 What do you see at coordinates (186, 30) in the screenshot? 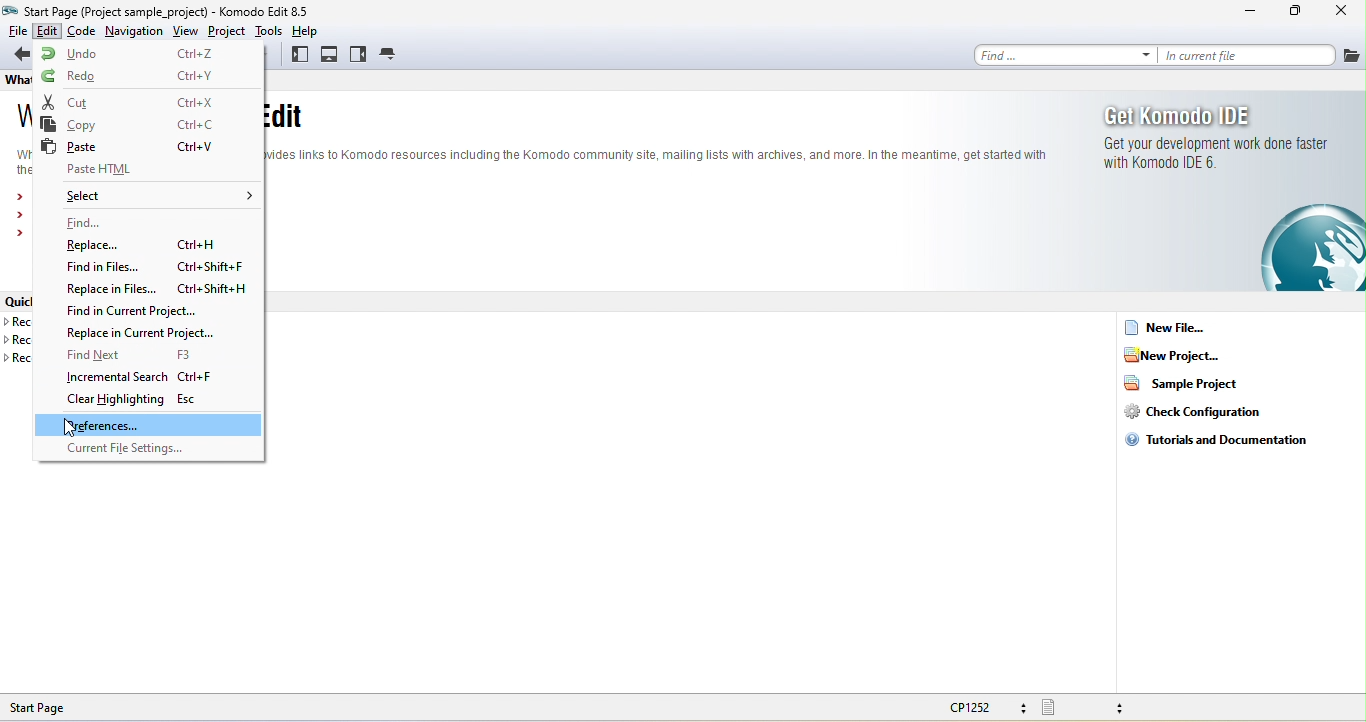
I see `view` at bounding box center [186, 30].